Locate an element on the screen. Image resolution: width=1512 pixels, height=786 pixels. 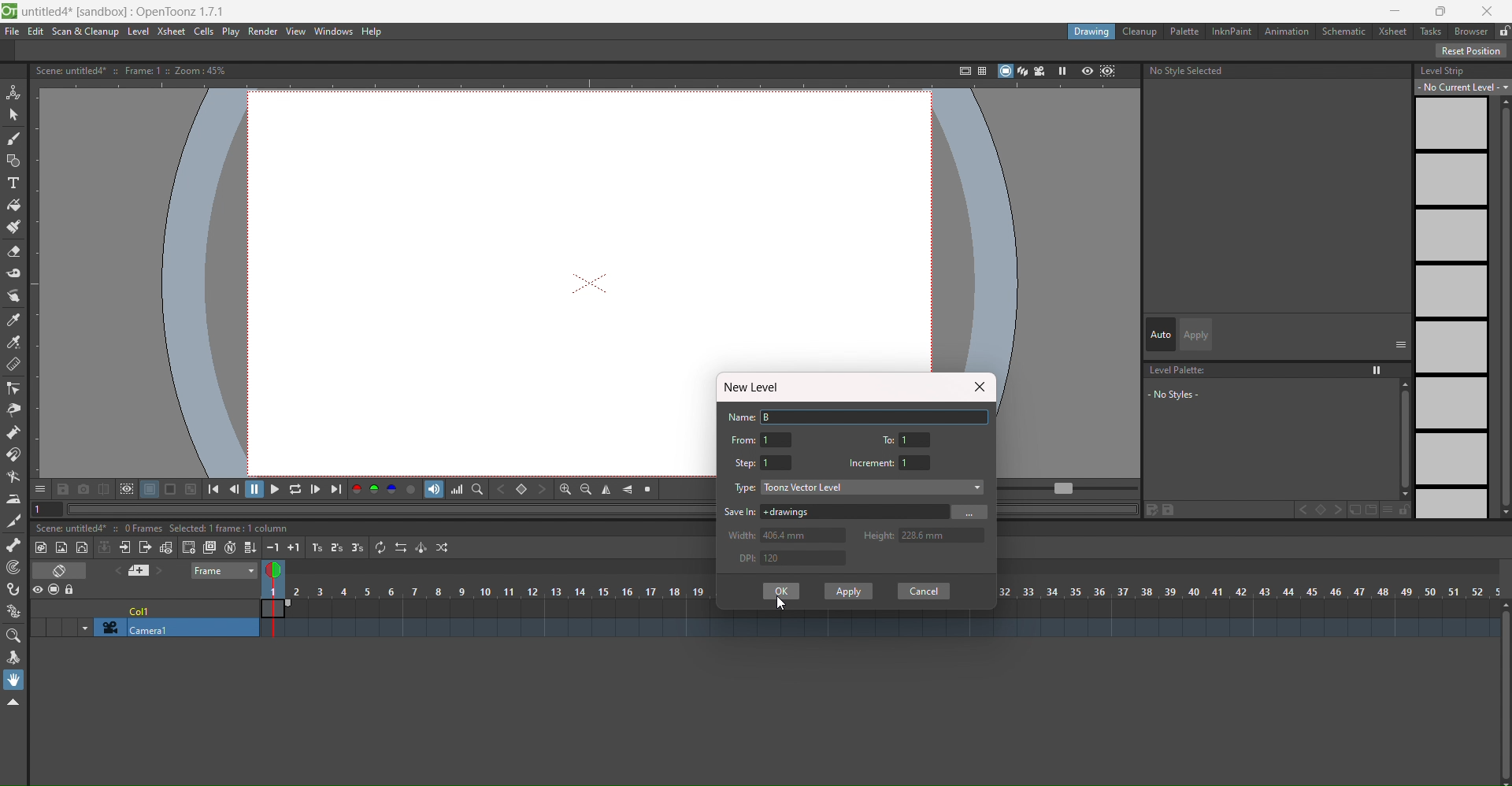
Scroll bar is located at coordinates (1503, 693).